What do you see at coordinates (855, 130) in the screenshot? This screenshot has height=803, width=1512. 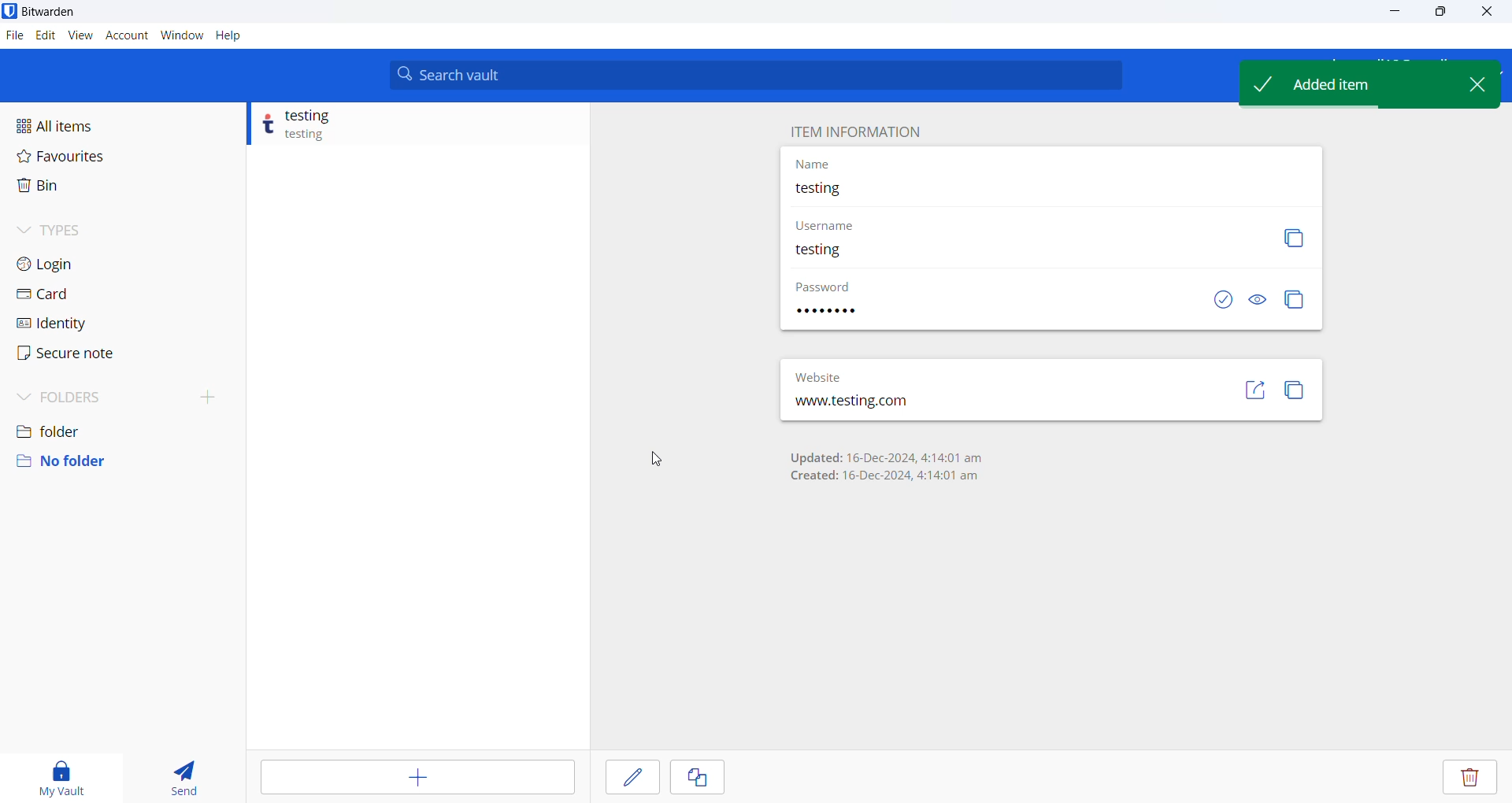 I see `item information heading` at bounding box center [855, 130].